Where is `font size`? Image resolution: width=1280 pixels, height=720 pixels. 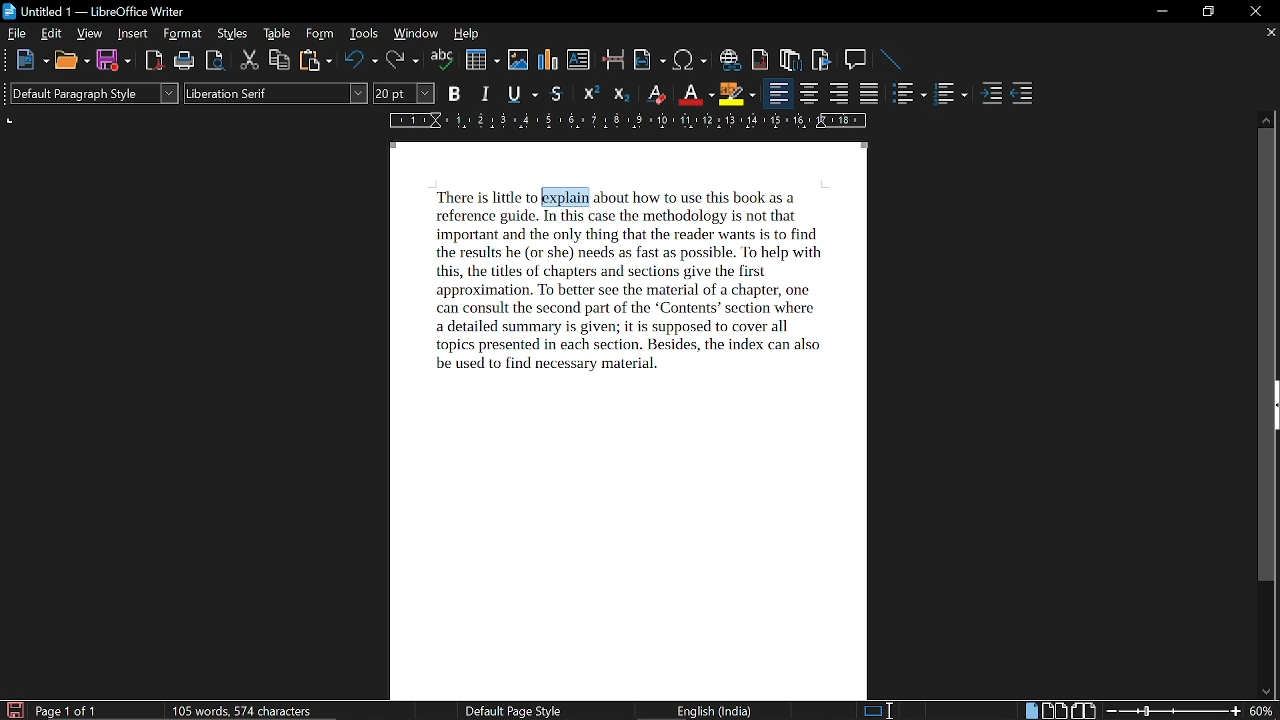
font size is located at coordinates (405, 93).